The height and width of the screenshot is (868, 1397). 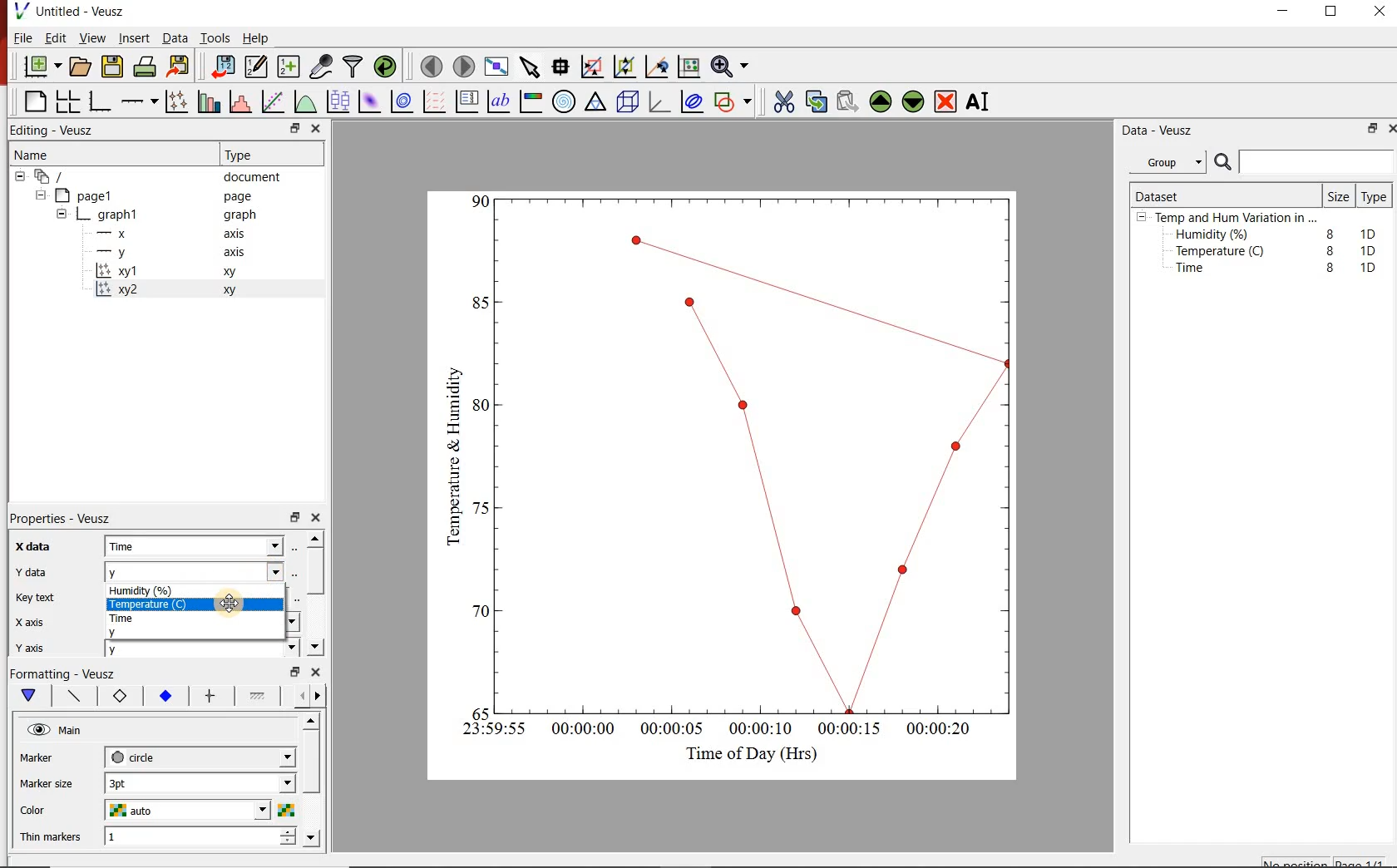 I want to click on x axis dropdown, so click(x=273, y=623).